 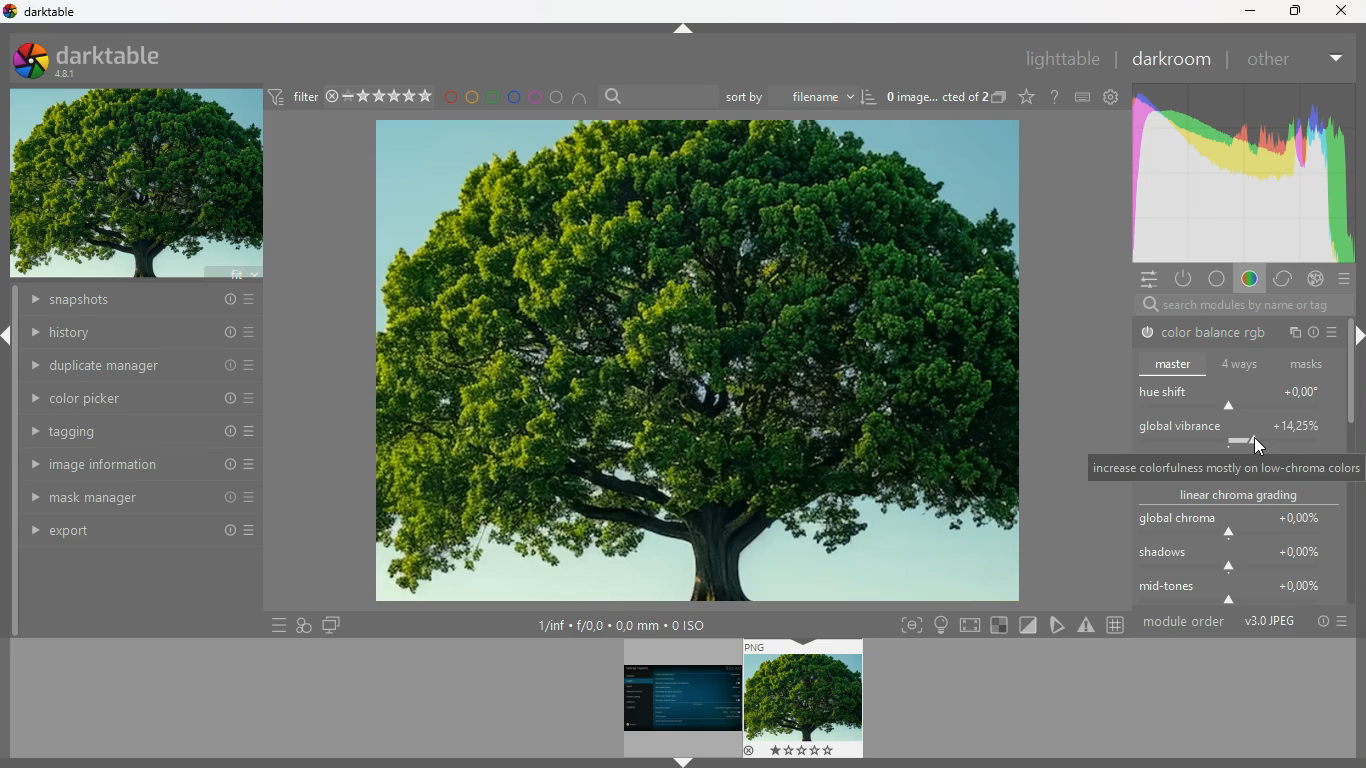 What do you see at coordinates (1247, 281) in the screenshot?
I see `color` at bounding box center [1247, 281].